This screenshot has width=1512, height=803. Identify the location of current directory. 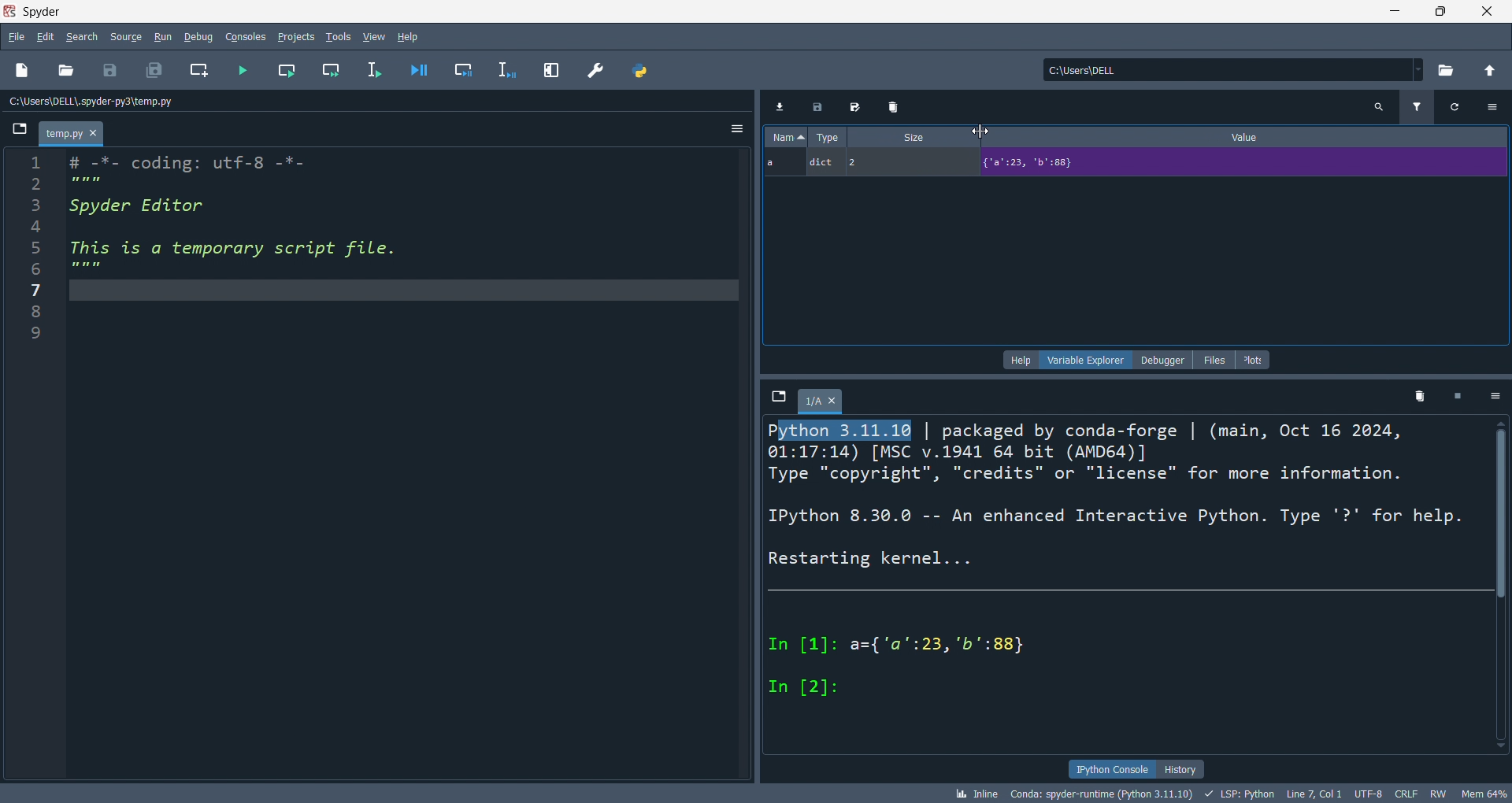
(1226, 71).